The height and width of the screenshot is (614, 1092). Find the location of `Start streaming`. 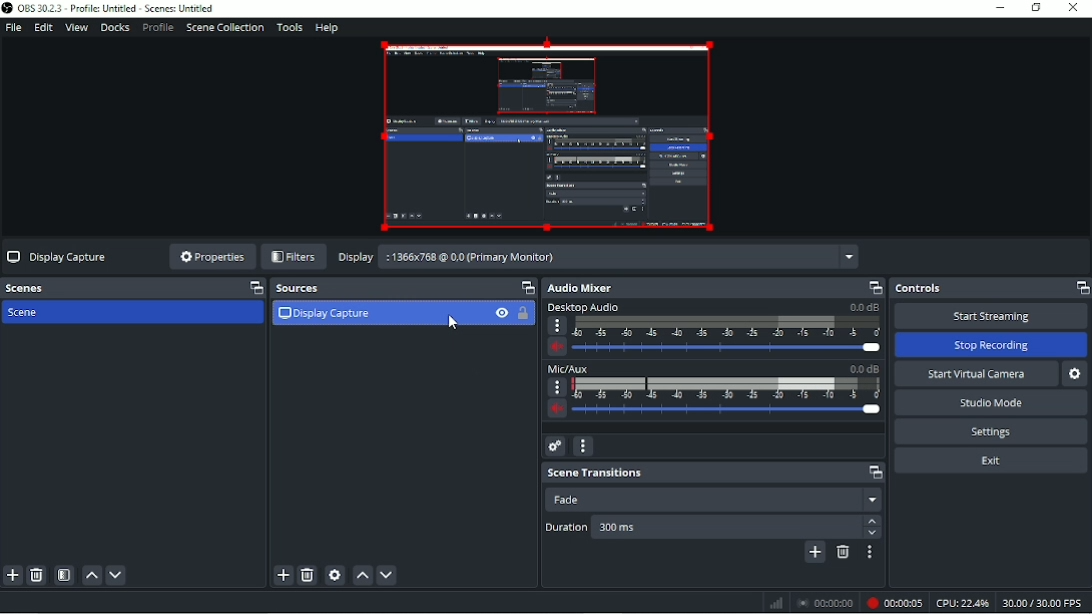

Start streaming is located at coordinates (991, 316).